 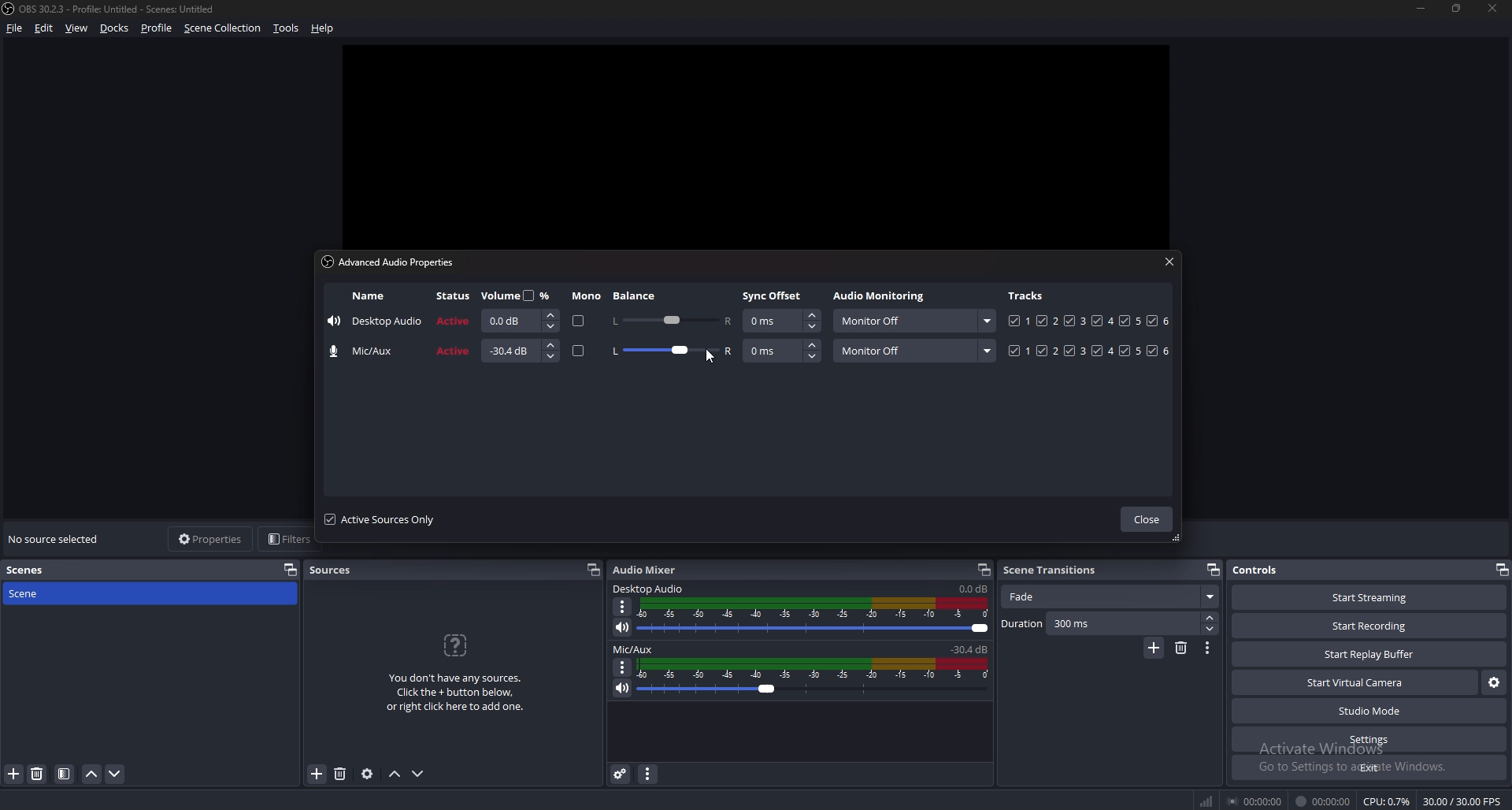 I want to click on remove source, so click(x=340, y=774).